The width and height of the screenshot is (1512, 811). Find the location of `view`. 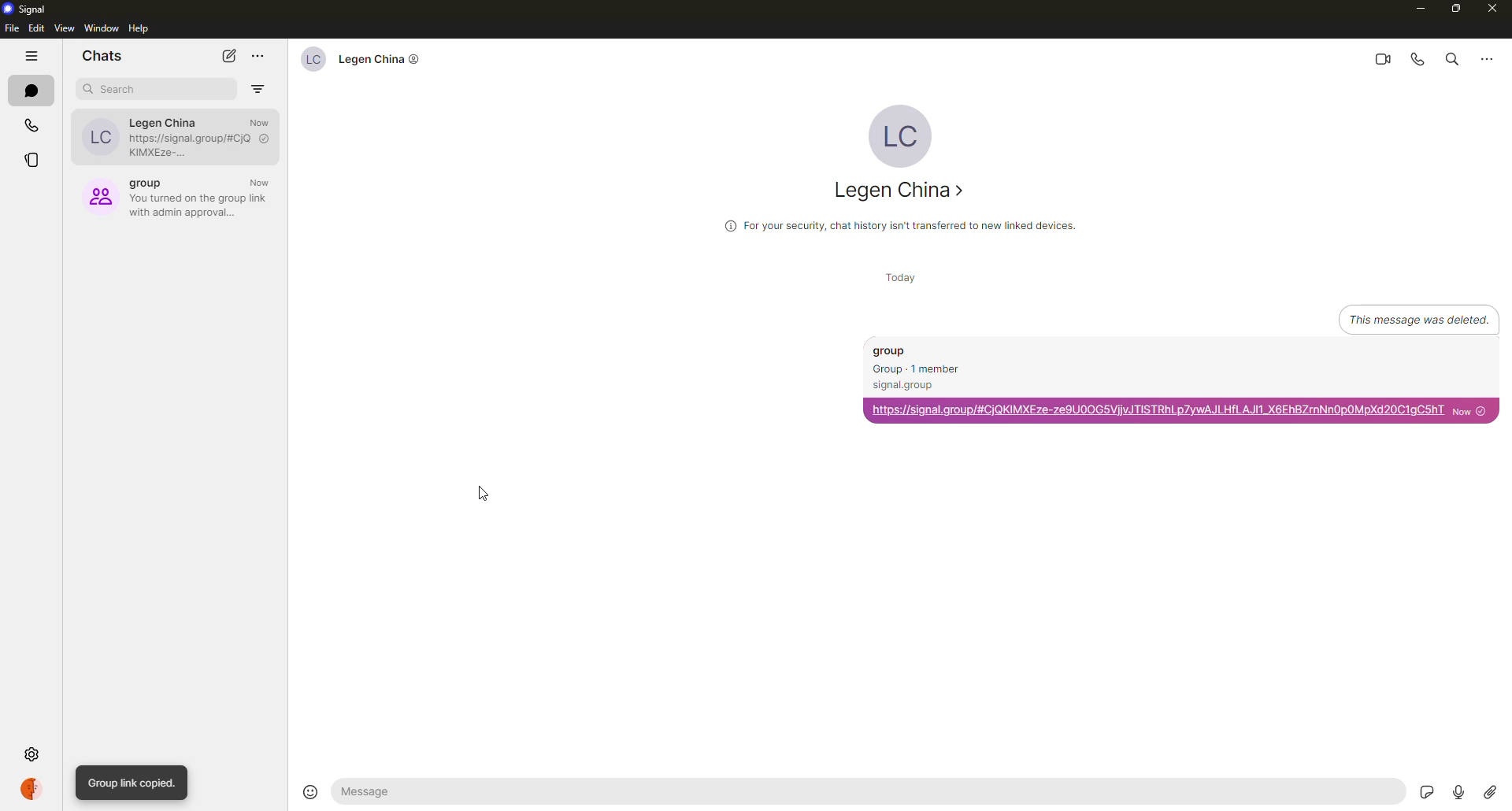

view is located at coordinates (64, 29).